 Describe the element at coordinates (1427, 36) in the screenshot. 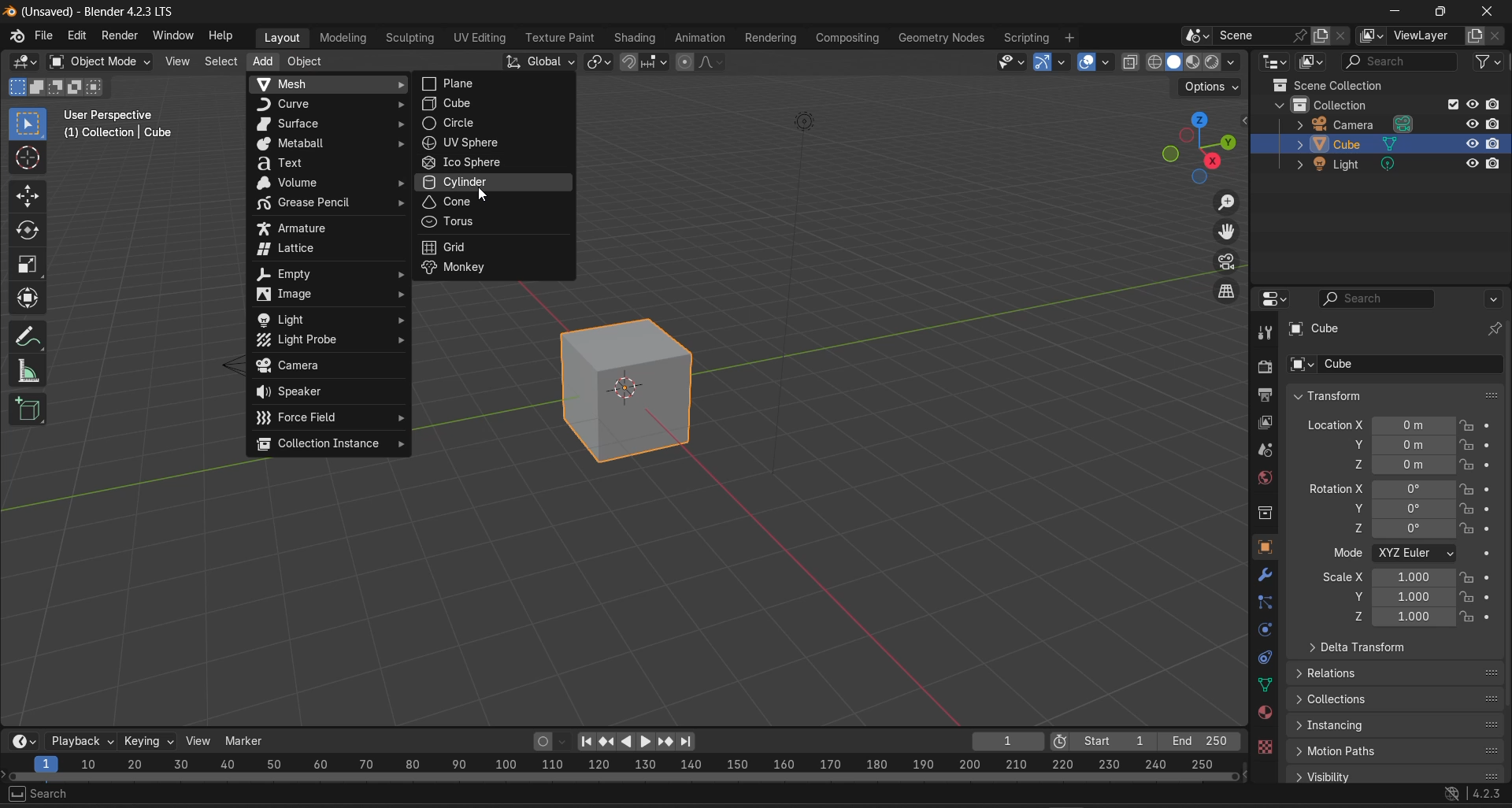

I see `view layer name` at that location.